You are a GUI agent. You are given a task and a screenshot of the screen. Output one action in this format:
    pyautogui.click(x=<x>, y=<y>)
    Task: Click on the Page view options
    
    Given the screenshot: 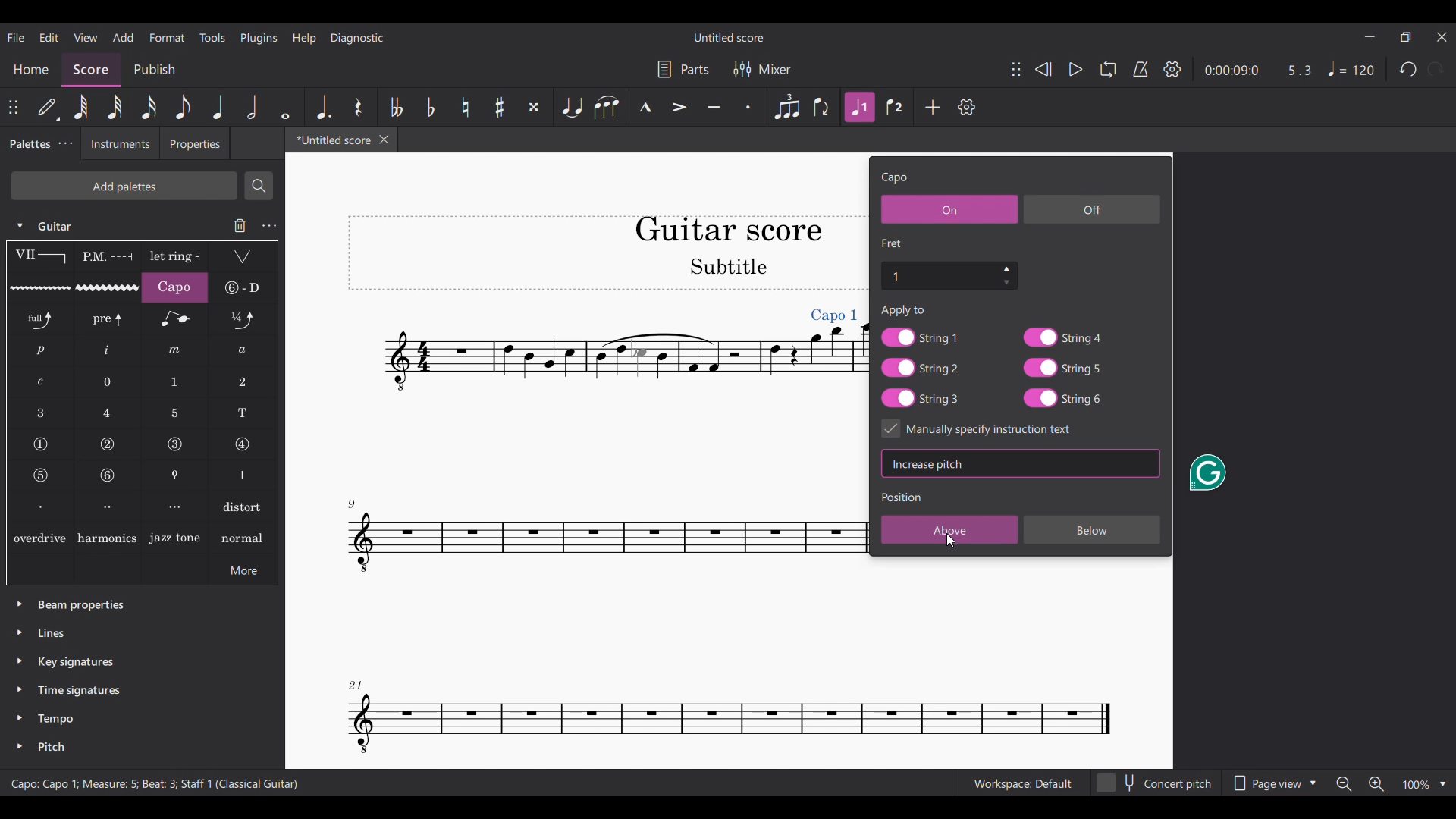 What is the action you would take?
    pyautogui.click(x=1275, y=783)
    